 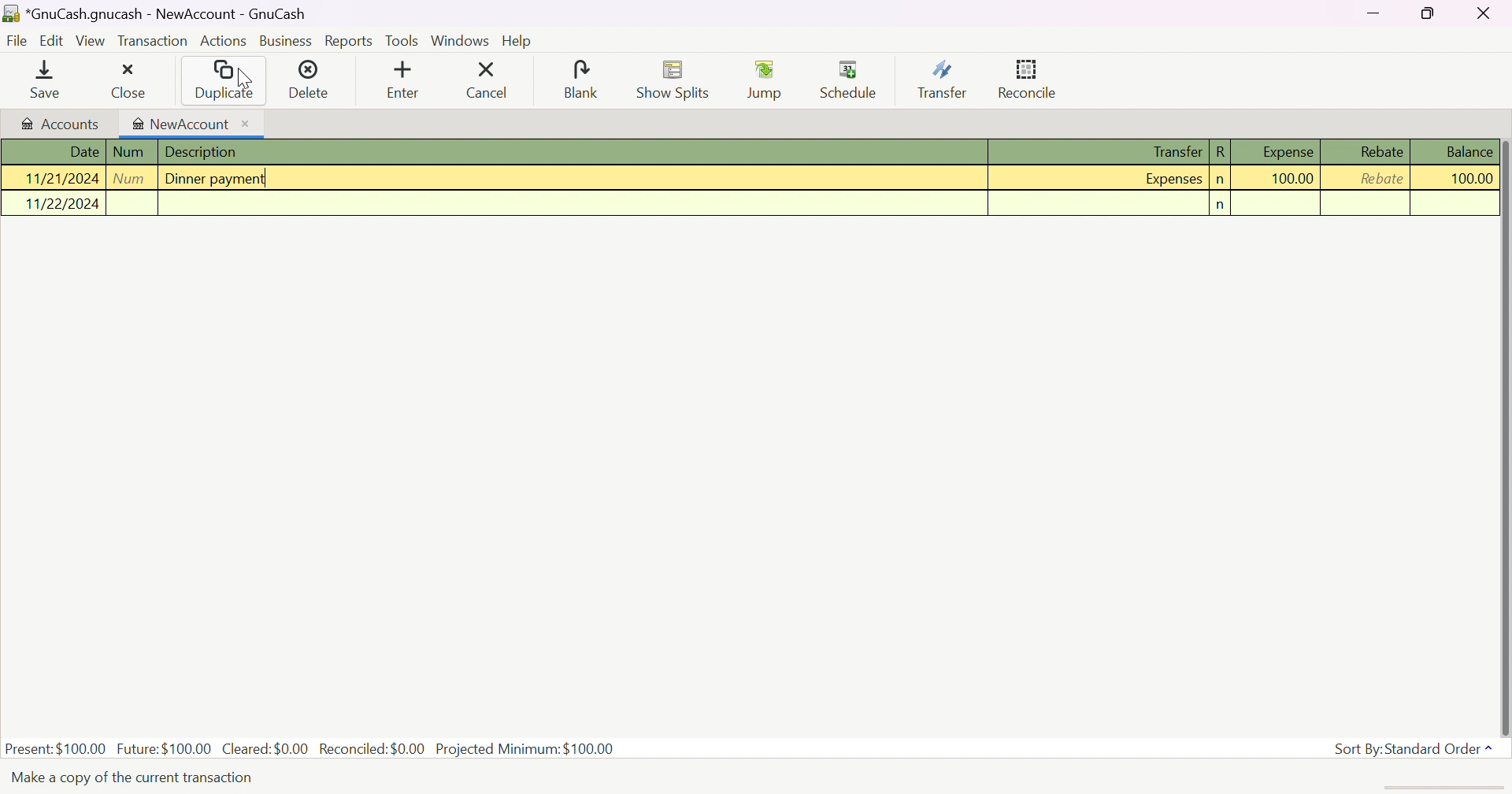 I want to click on Actions, so click(x=224, y=42).